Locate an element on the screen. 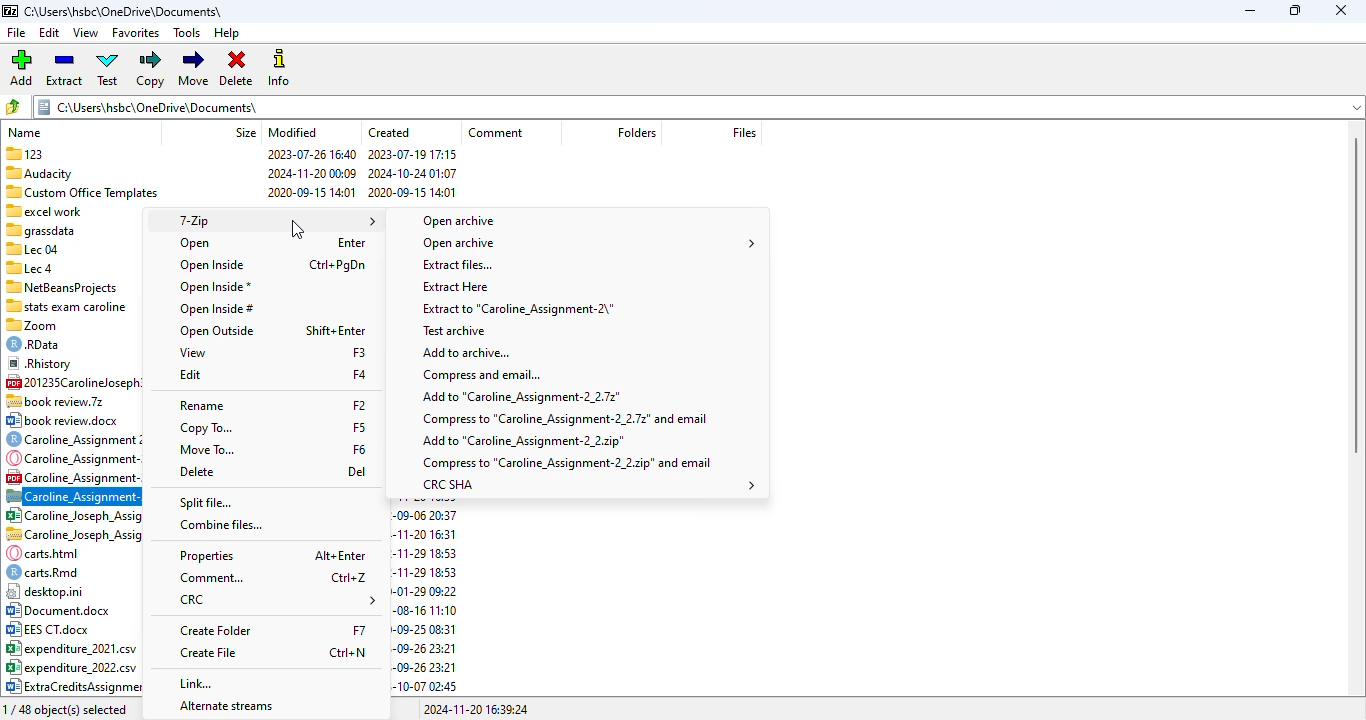  size is located at coordinates (243, 132).